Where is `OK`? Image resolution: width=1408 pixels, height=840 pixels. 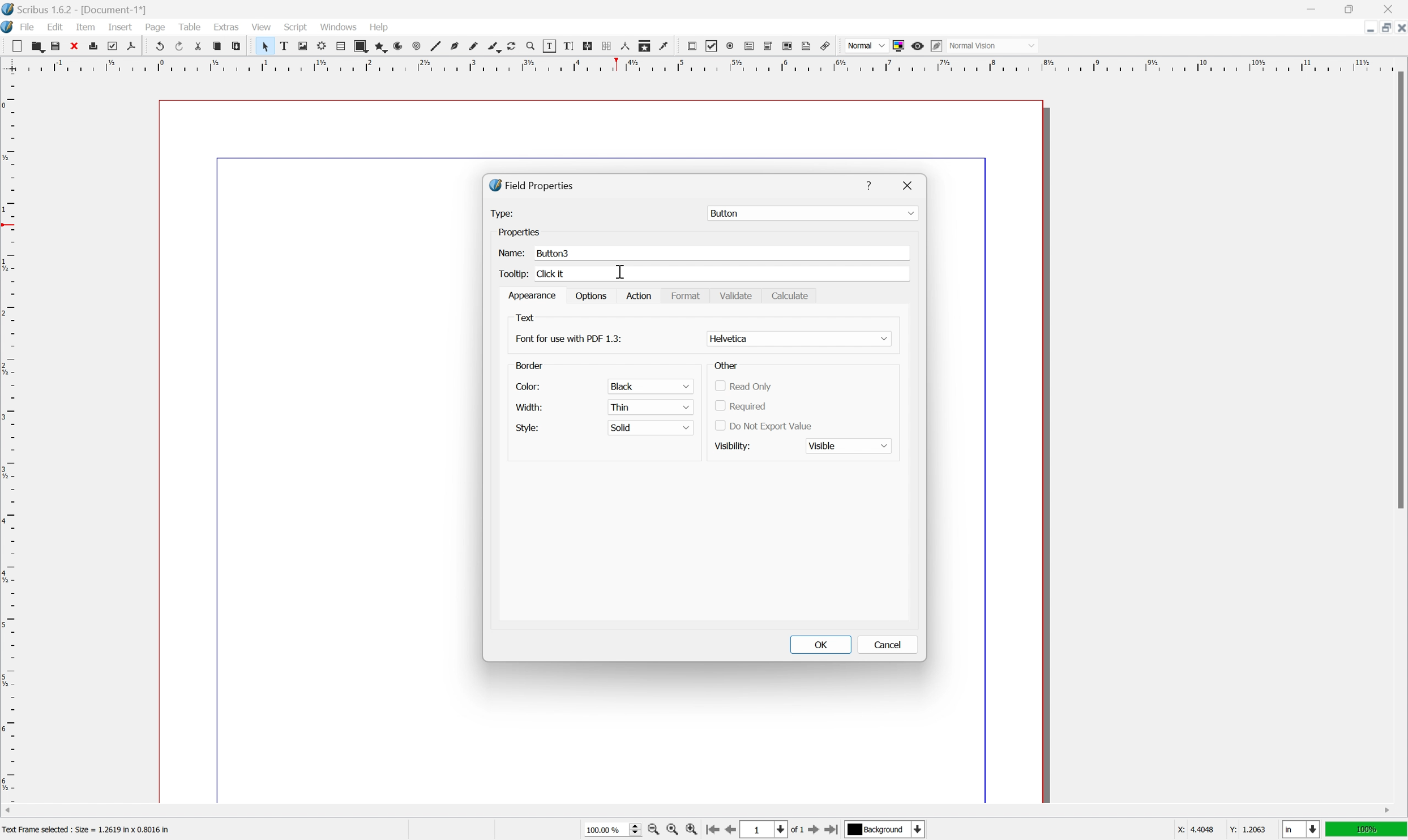
OK is located at coordinates (823, 643).